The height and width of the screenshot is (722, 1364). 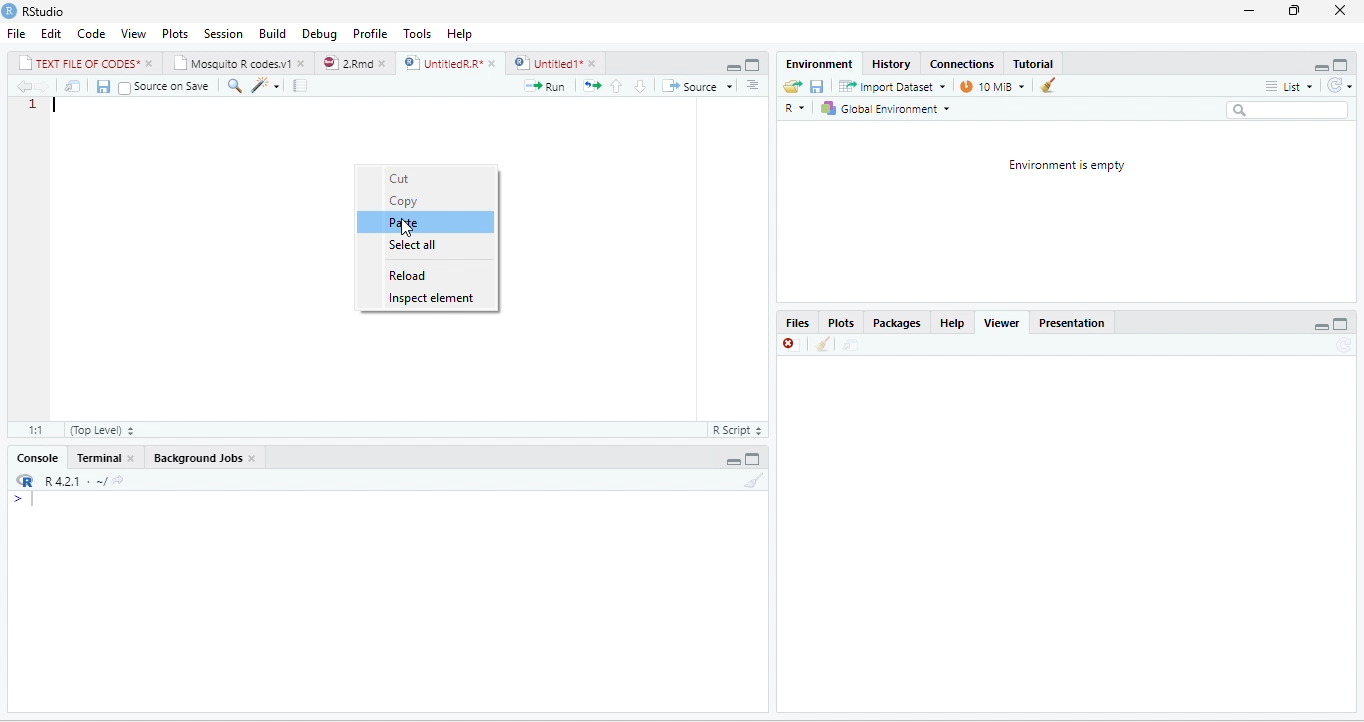 What do you see at coordinates (798, 108) in the screenshot?
I see `R` at bounding box center [798, 108].